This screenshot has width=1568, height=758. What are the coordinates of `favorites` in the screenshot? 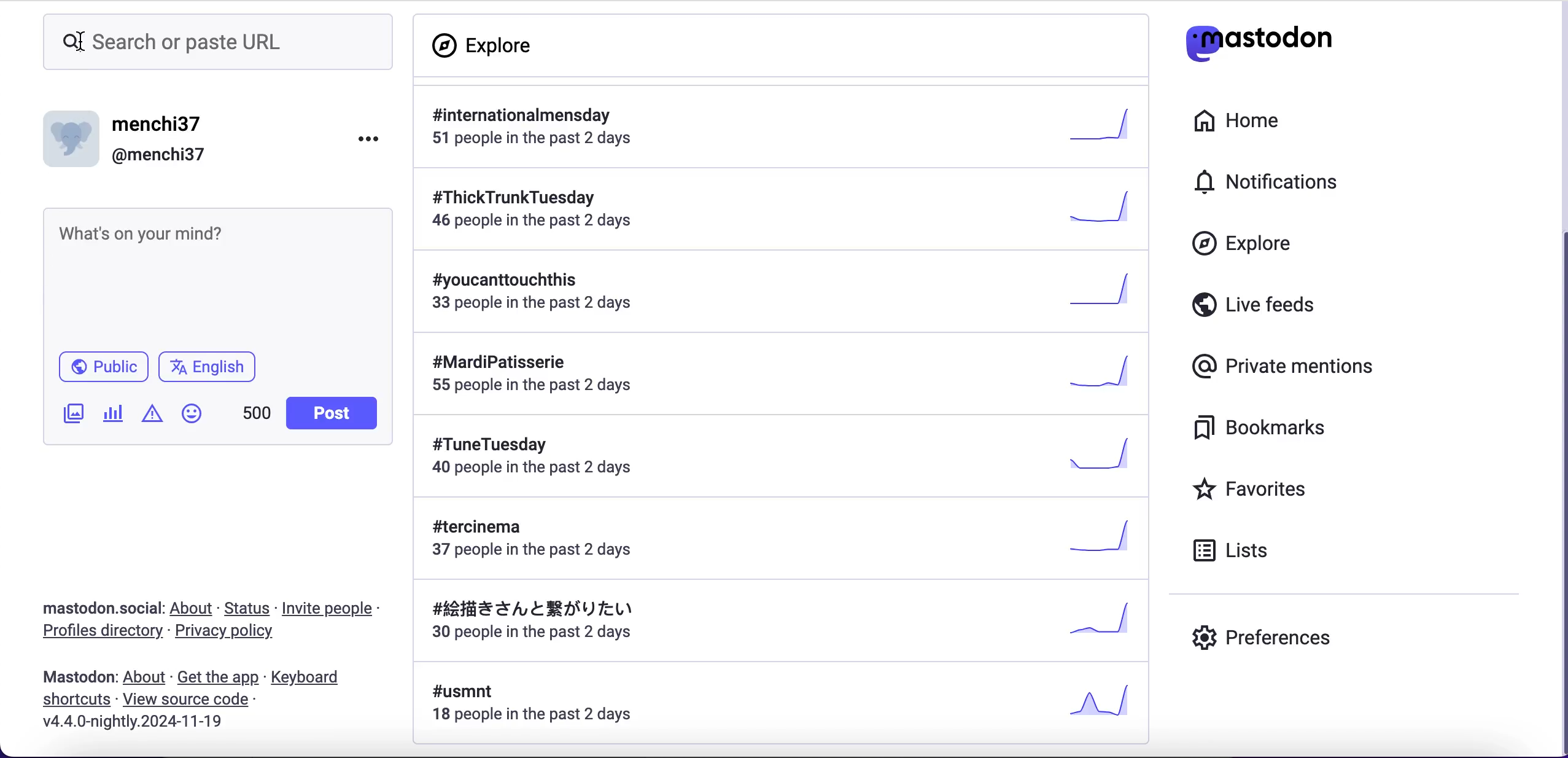 It's located at (1252, 488).